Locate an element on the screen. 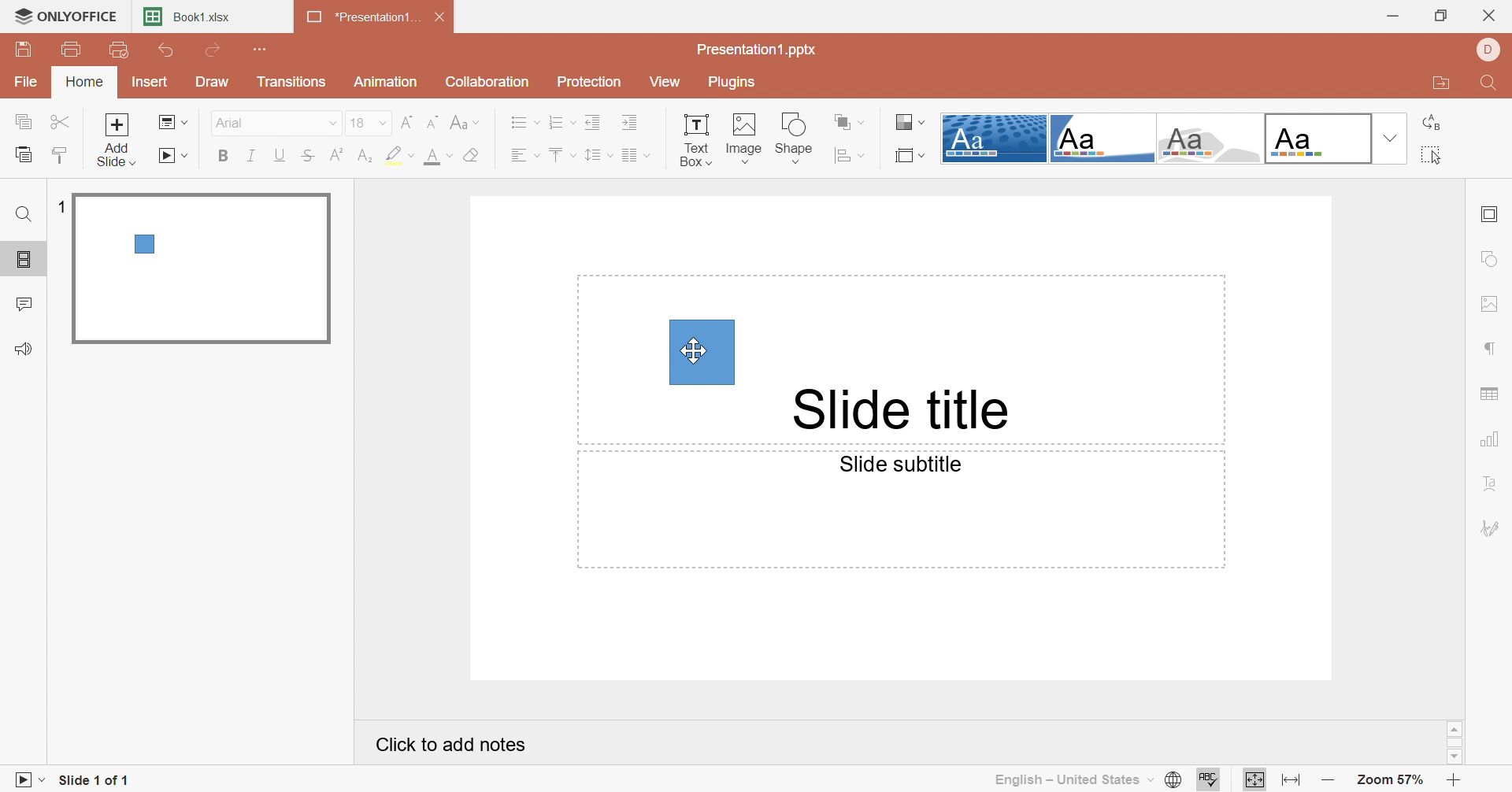 The height and width of the screenshot is (792, 1512). Strikethrough is located at coordinates (309, 157).